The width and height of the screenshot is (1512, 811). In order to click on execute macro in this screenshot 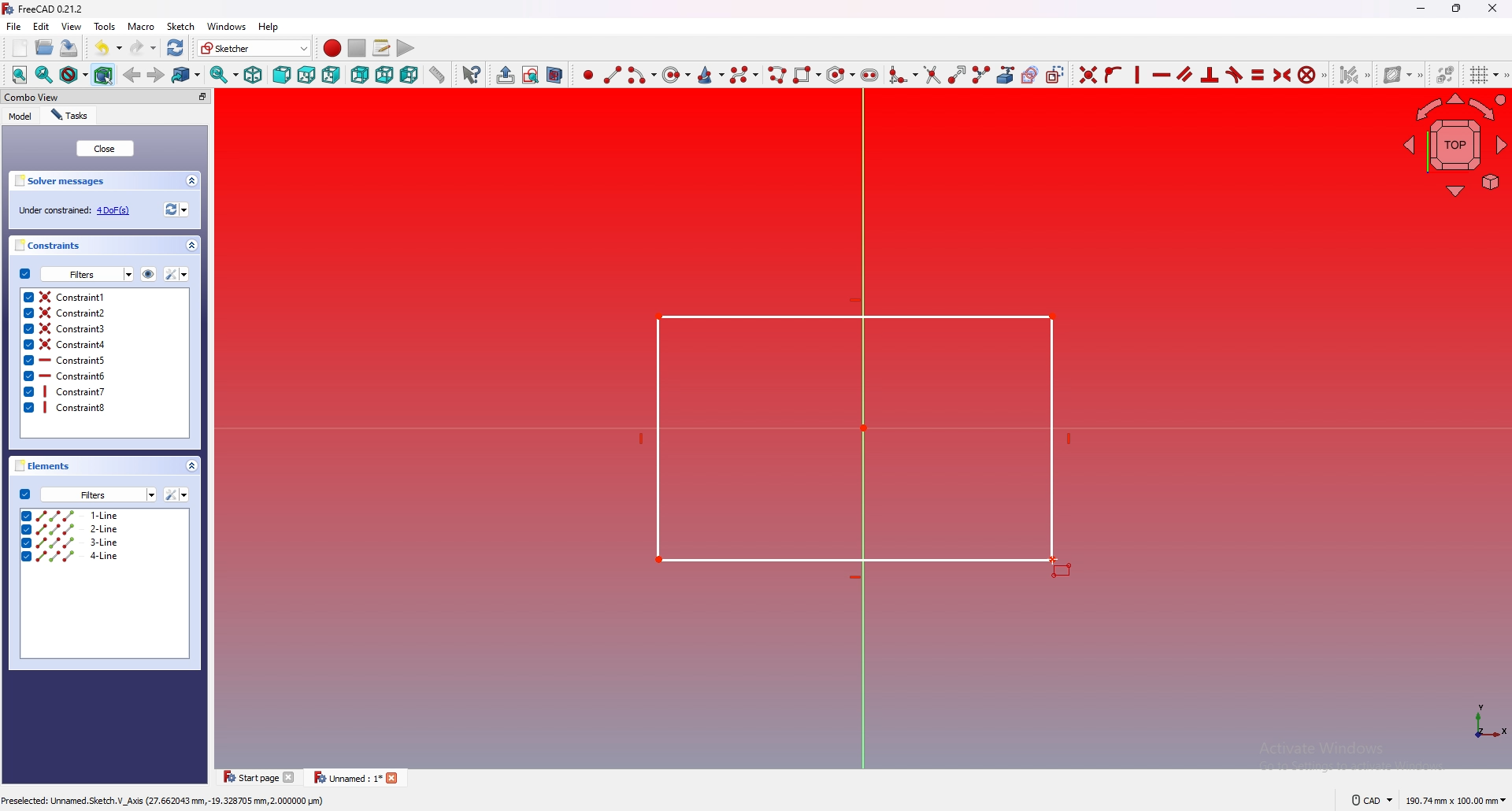, I will do `click(406, 48)`.